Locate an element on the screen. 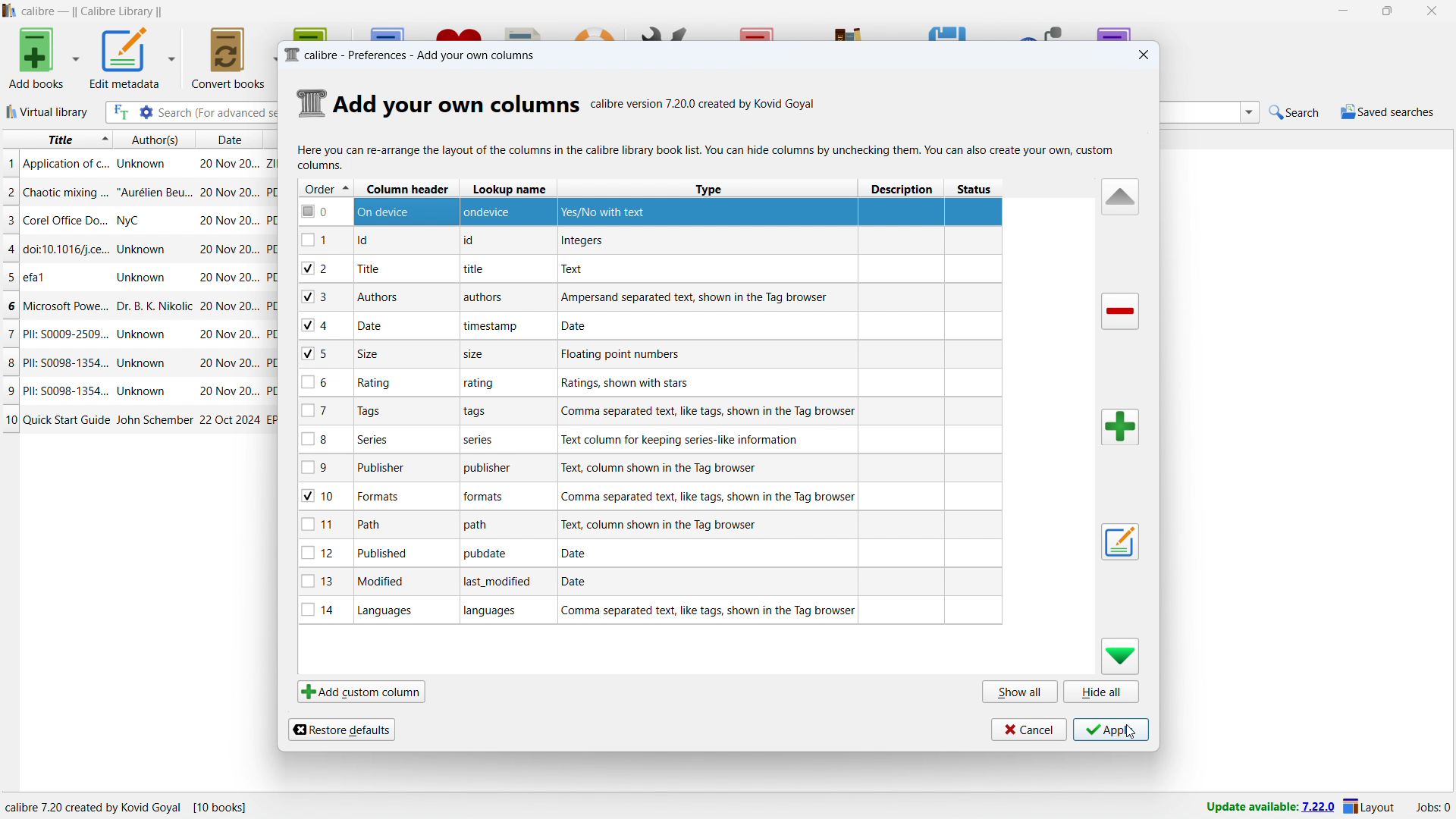  hide all is located at coordinates (1102, 692).